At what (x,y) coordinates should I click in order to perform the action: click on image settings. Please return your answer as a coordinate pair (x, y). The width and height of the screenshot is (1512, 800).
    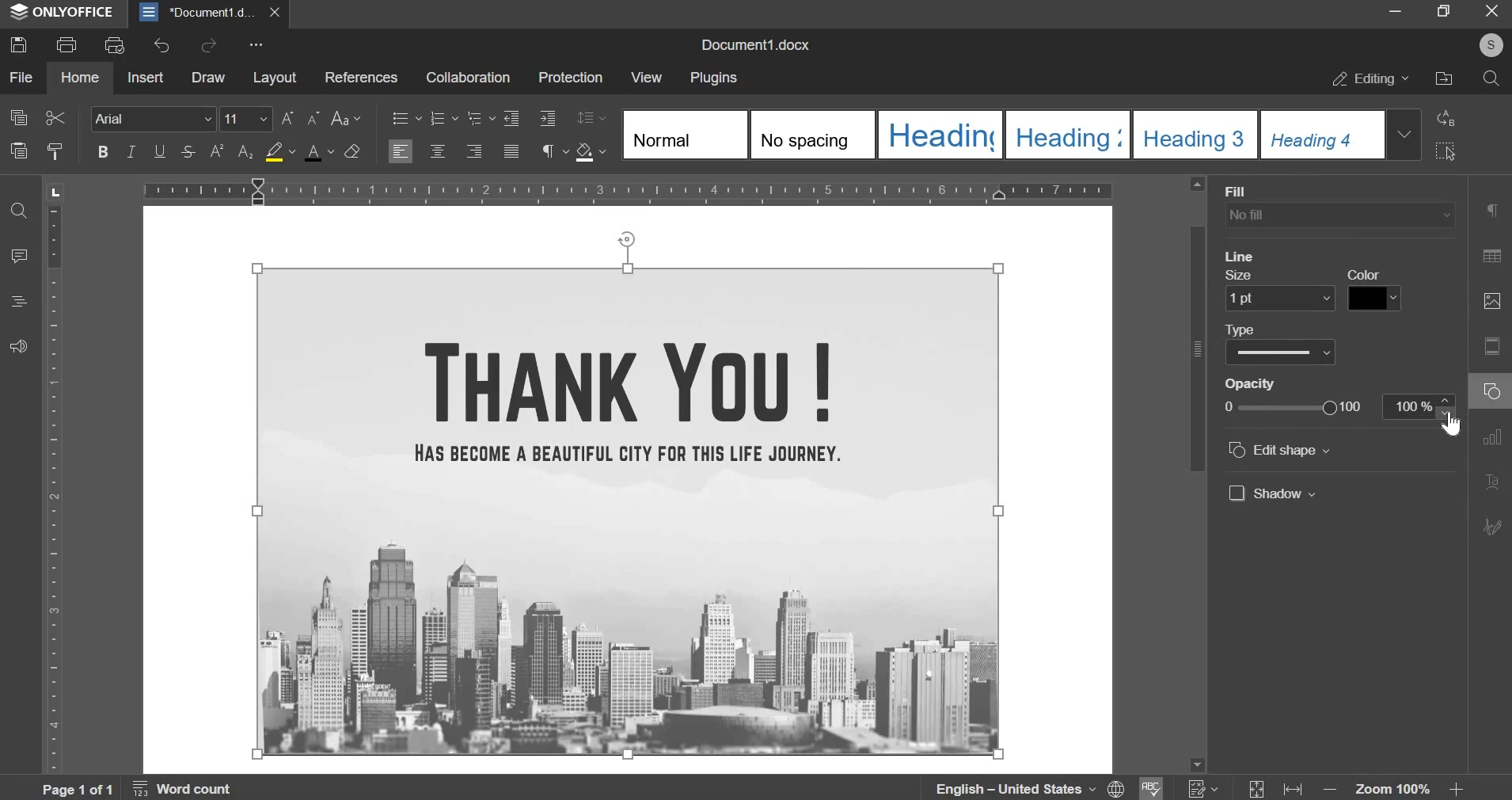
    Looking at the image, I should click on (1492, 302).